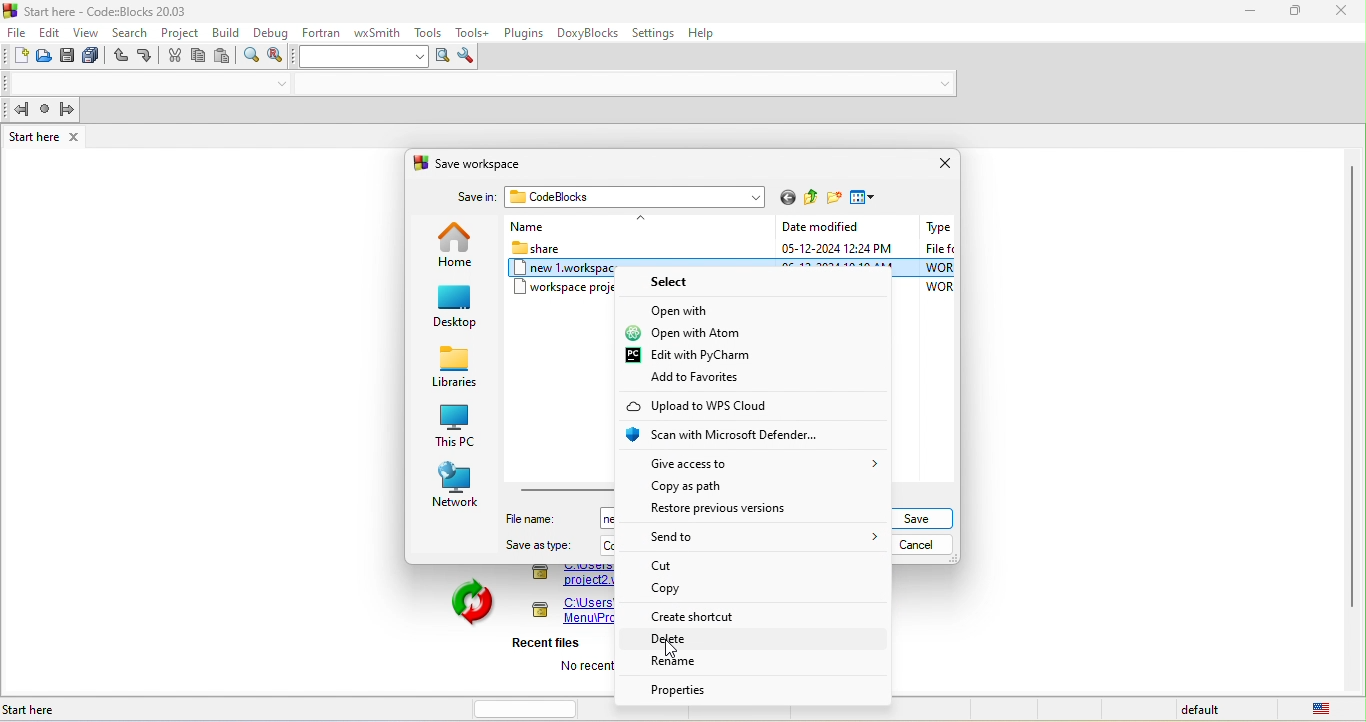 Image resolution: width=1366 pixels, height=722 pixels. I want to click on copy, so click(199, 56).